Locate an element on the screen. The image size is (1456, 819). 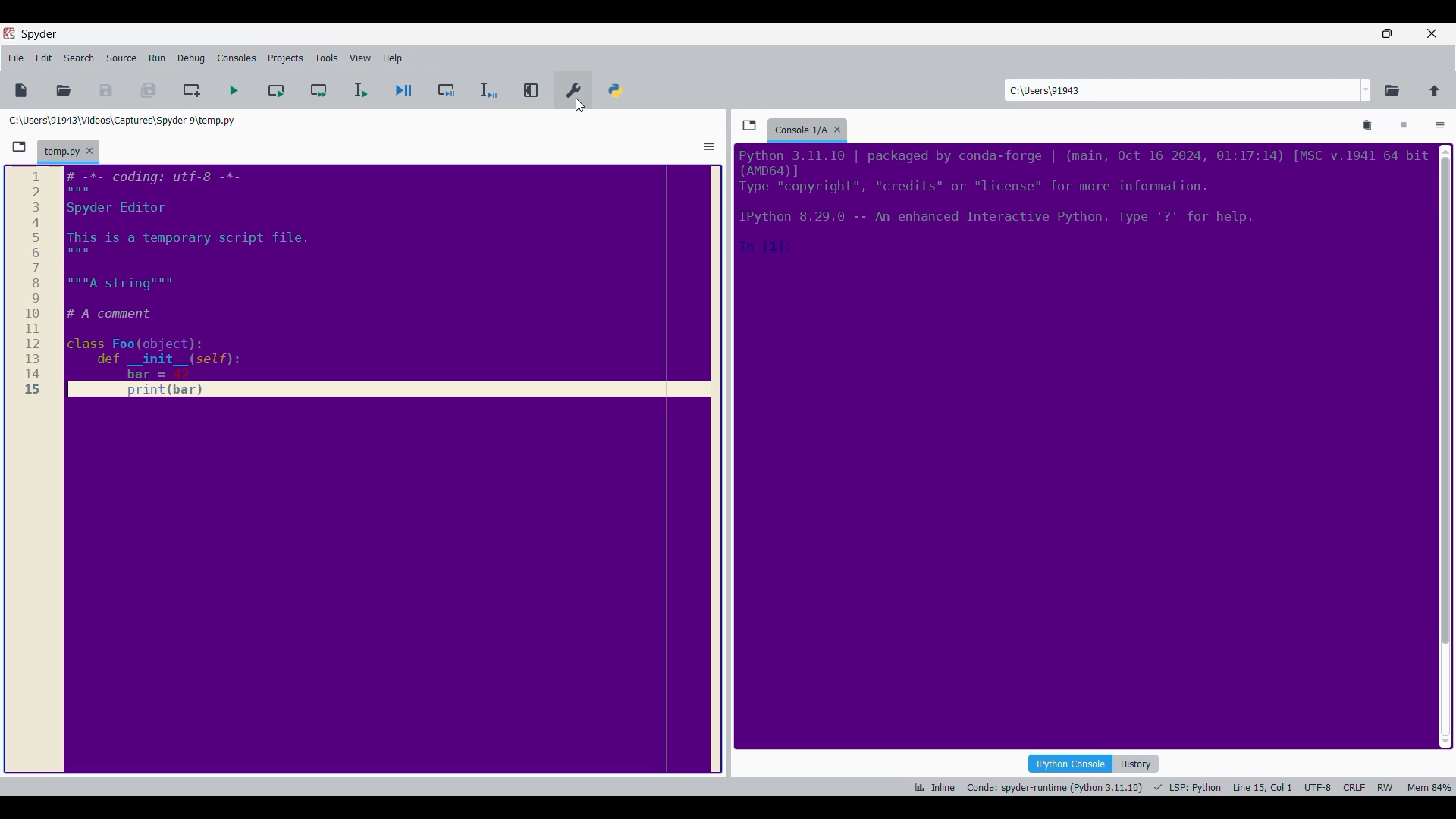
Source menu is located at coordinates (121, 58).